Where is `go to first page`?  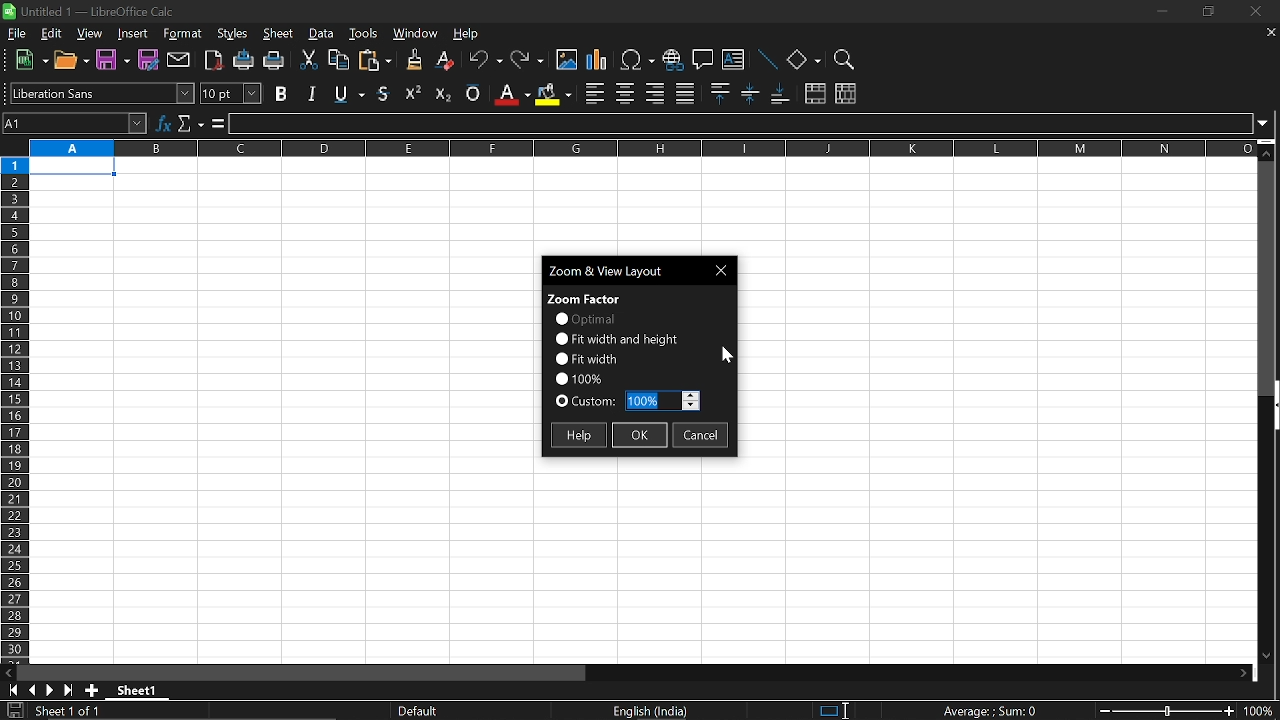 go to first page is located at coordinates (10, 689).